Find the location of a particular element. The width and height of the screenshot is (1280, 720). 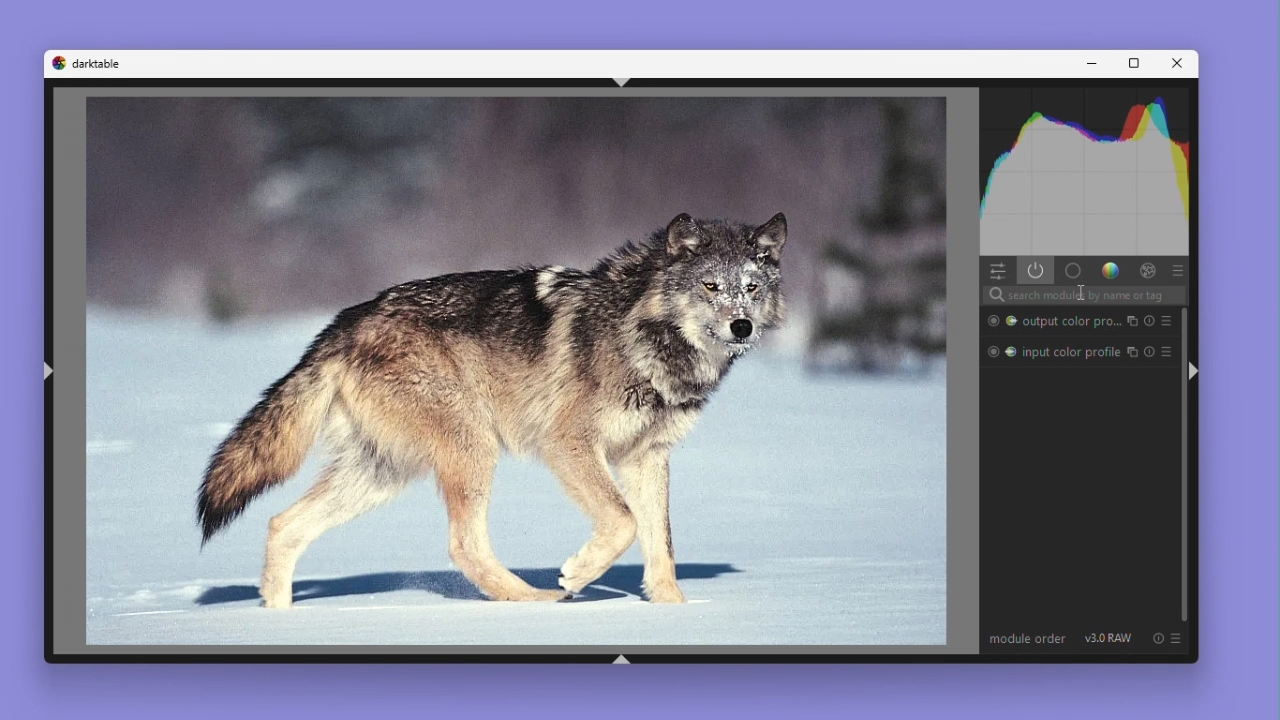

Effect is located at coordinates (1147, 269).